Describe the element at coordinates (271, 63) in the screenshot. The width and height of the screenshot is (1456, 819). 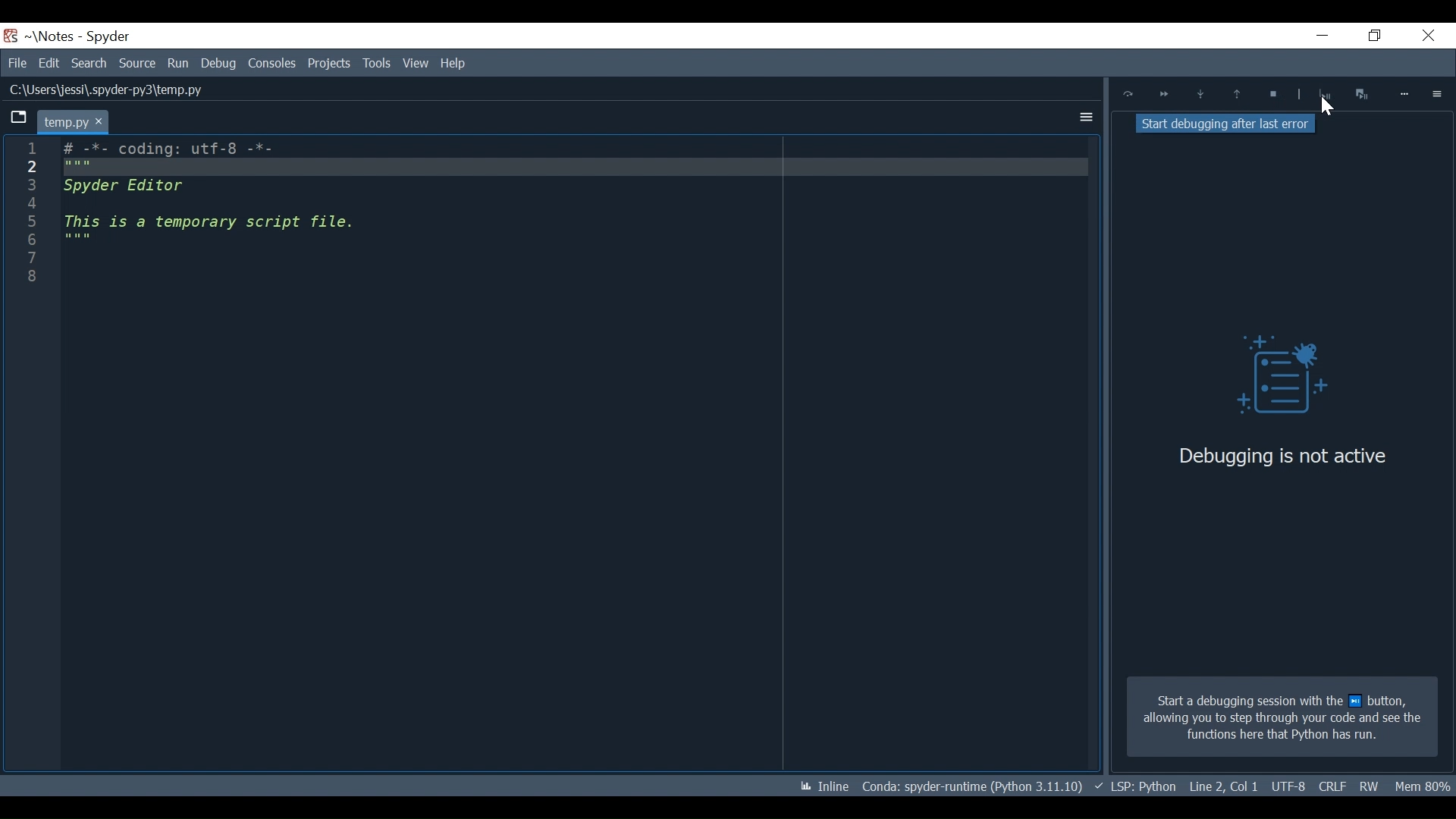
I see `Consoles` at that location.